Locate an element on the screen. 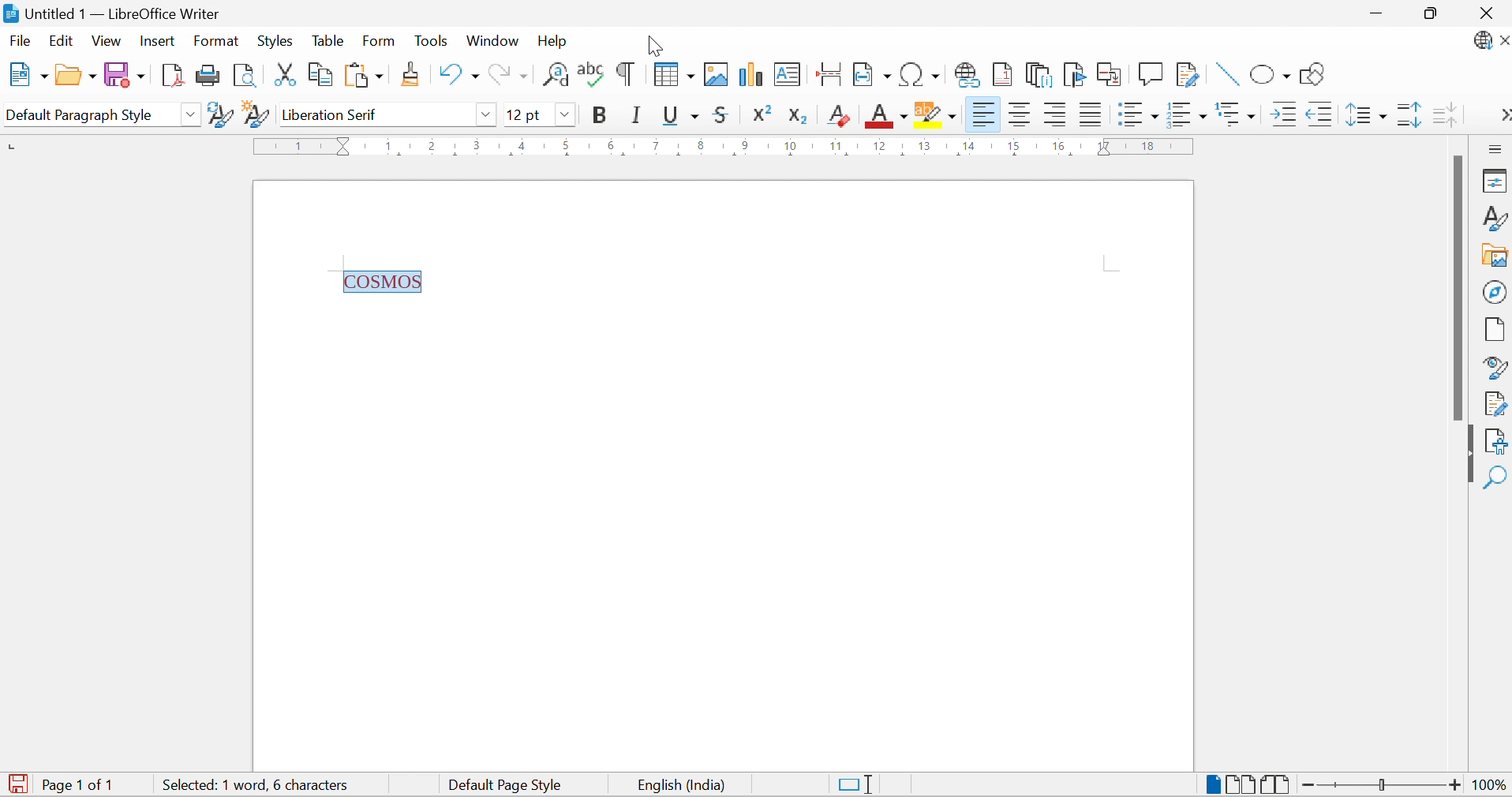  Paste is located at coordinates (363, 75).